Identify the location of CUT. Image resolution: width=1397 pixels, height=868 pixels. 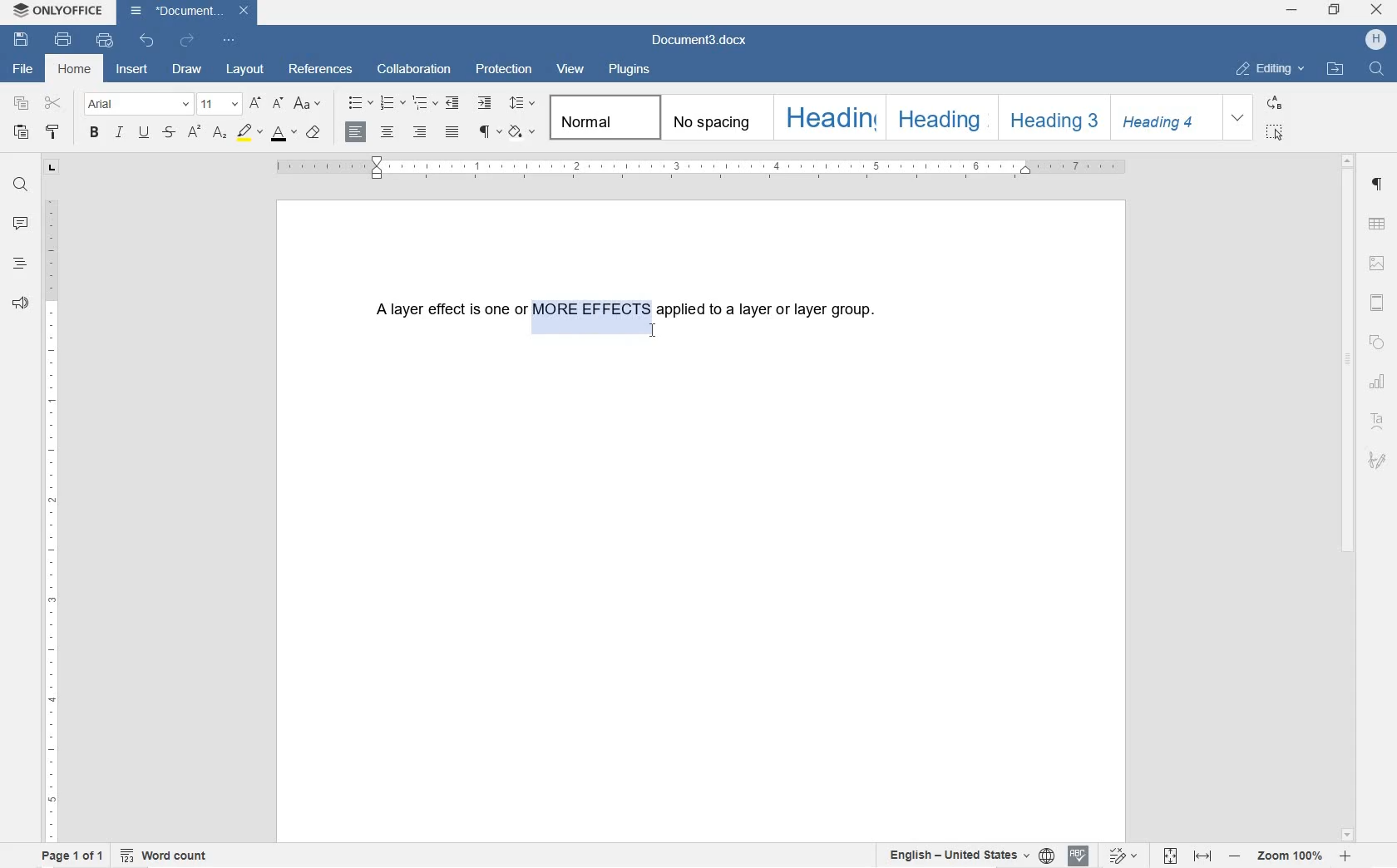
(53, 103).